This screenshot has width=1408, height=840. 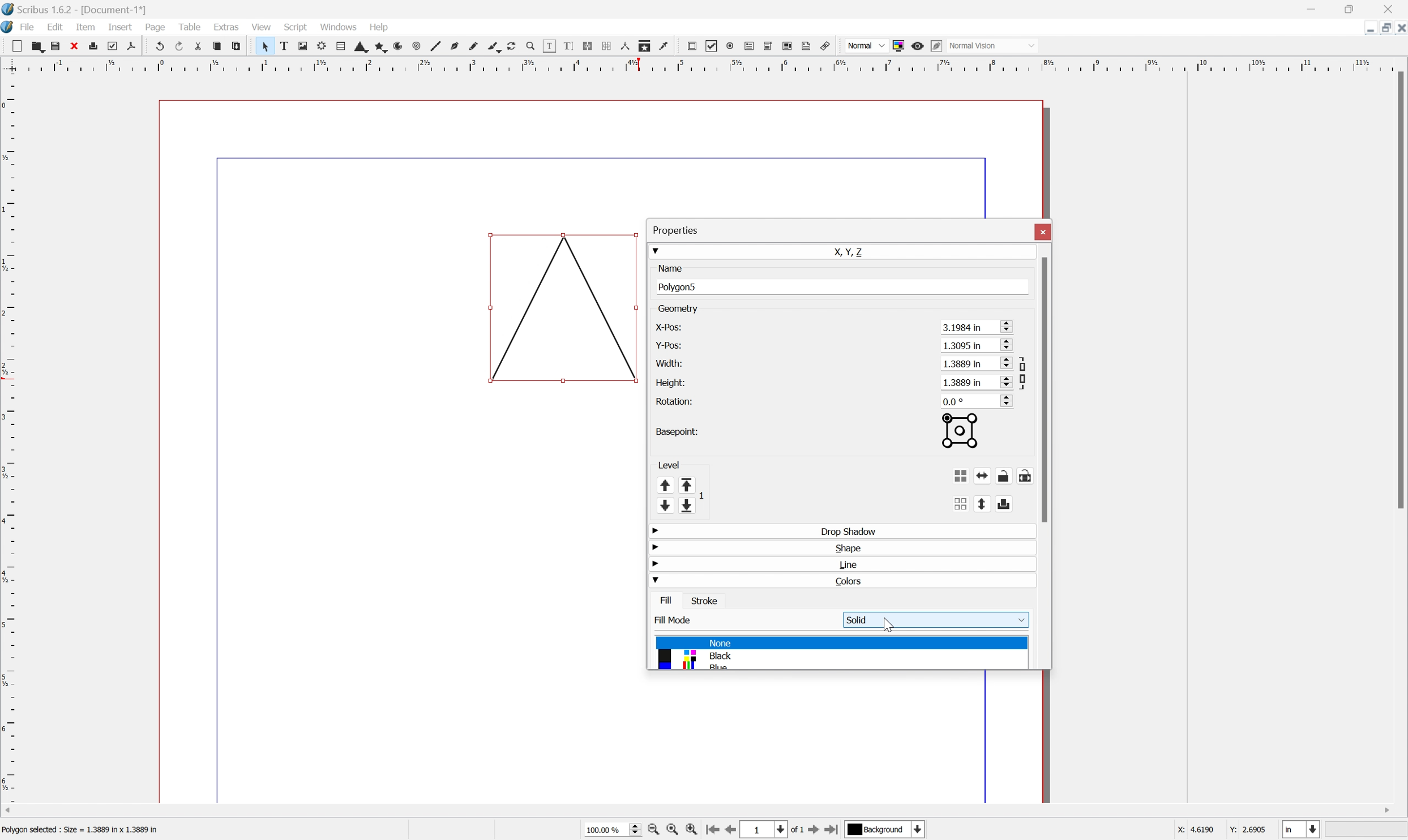 I want to click on Copy item properties, so click(x=645, y=47).